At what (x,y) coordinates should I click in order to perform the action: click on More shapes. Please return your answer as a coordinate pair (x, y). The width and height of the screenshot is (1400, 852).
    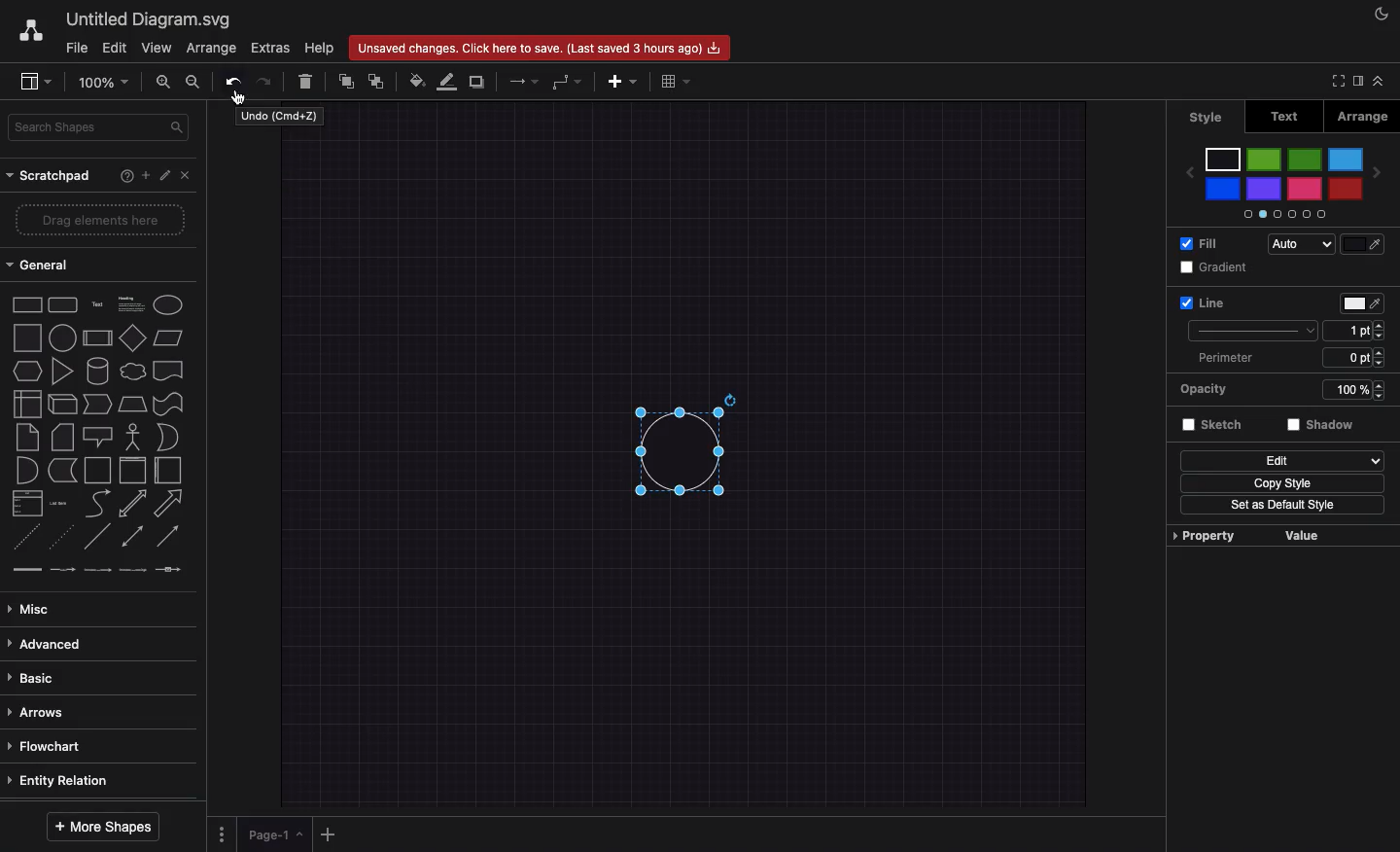
    Looking at the image, I should click on (101, 828).